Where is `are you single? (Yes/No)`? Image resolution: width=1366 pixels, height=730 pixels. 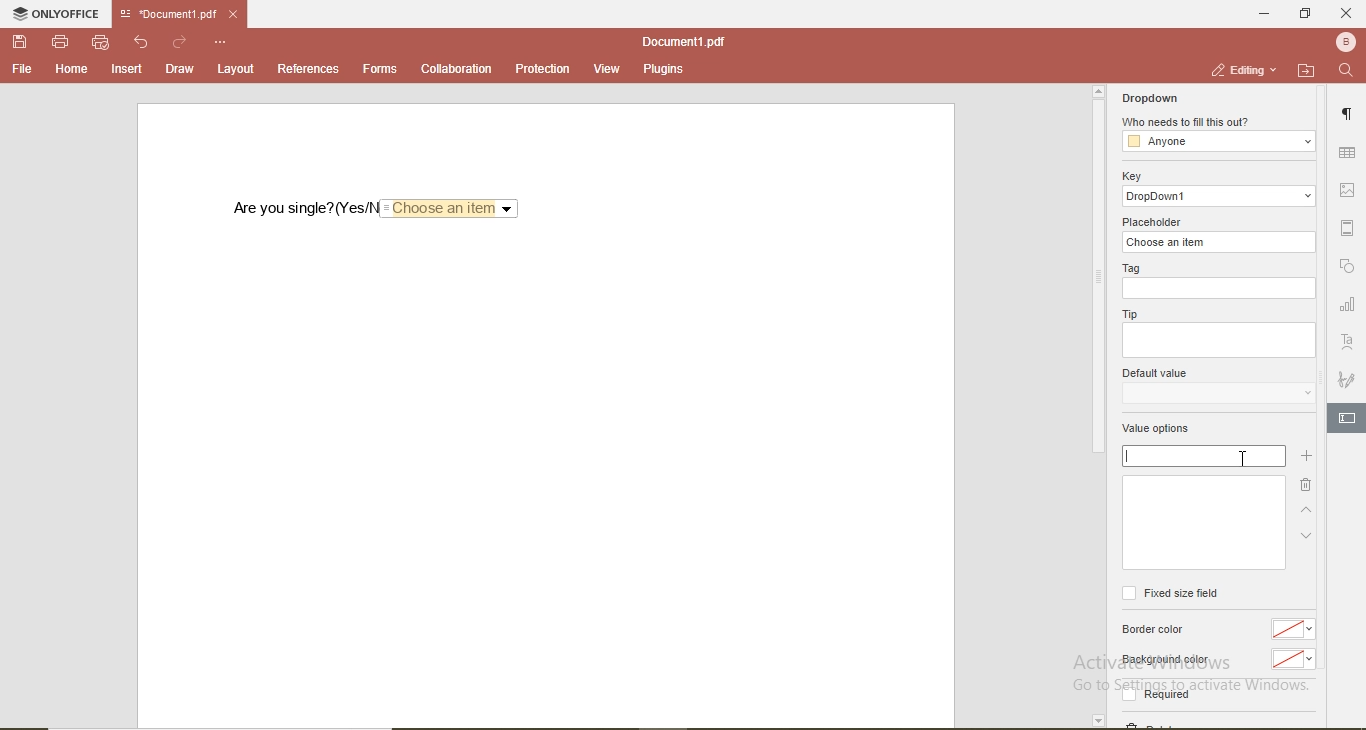 are you single? (Yes/No) is located at coordinates (304, 209).